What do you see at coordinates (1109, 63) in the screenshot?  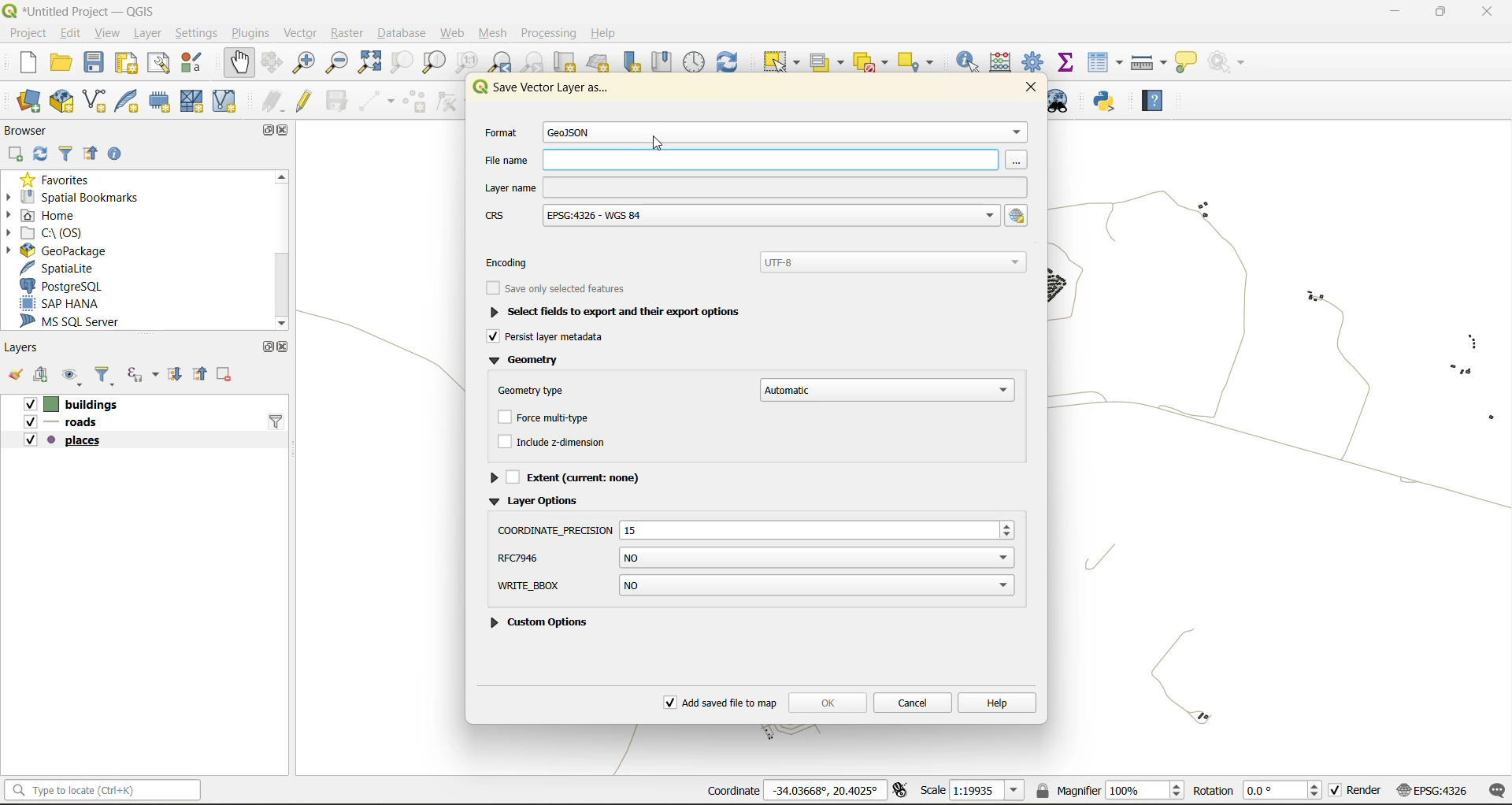 I see `attributes table` at bounding box center [1109, 63].